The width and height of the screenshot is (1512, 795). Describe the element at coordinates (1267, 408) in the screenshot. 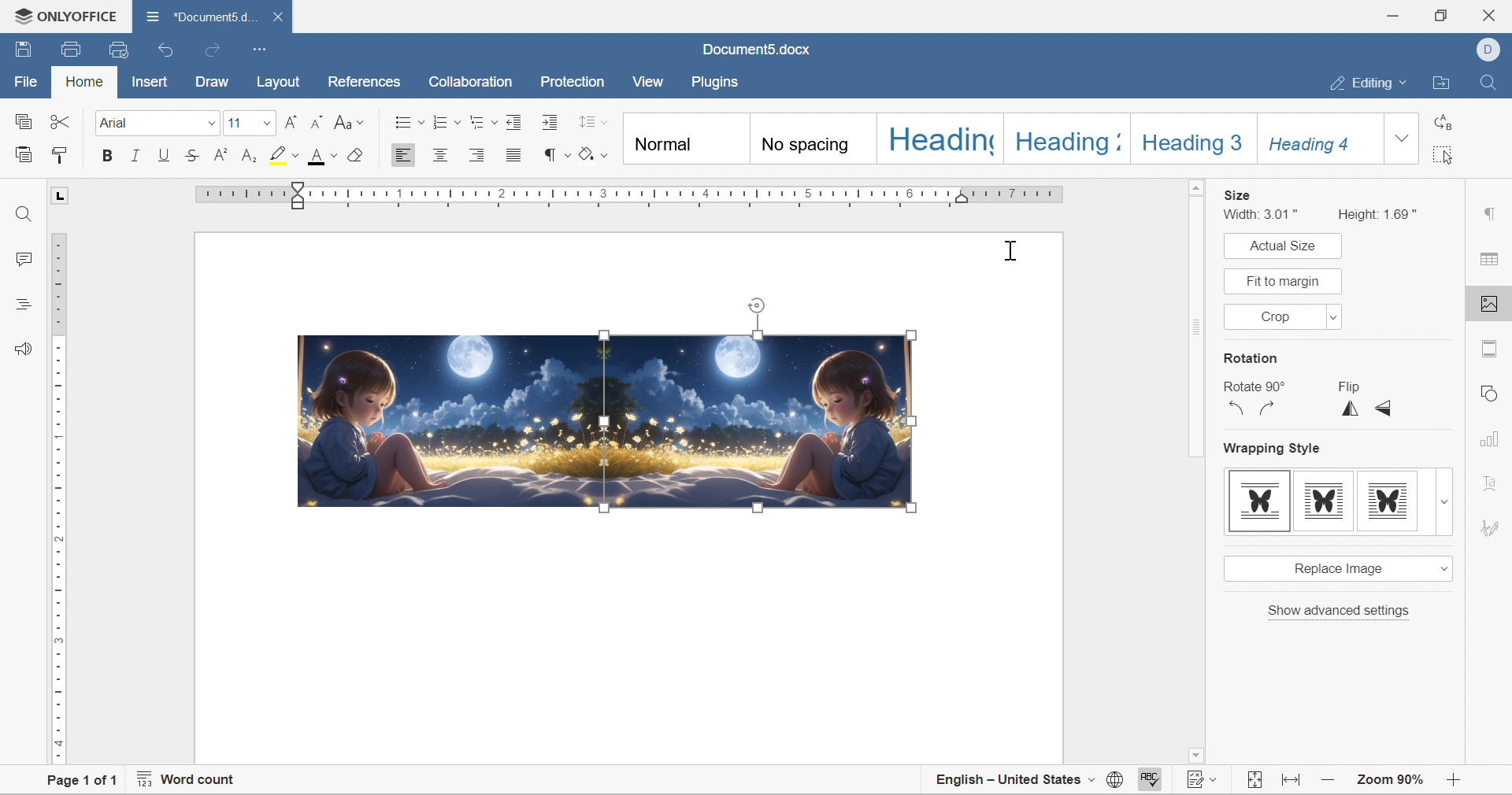

I see `rotate clockwise` at that location.